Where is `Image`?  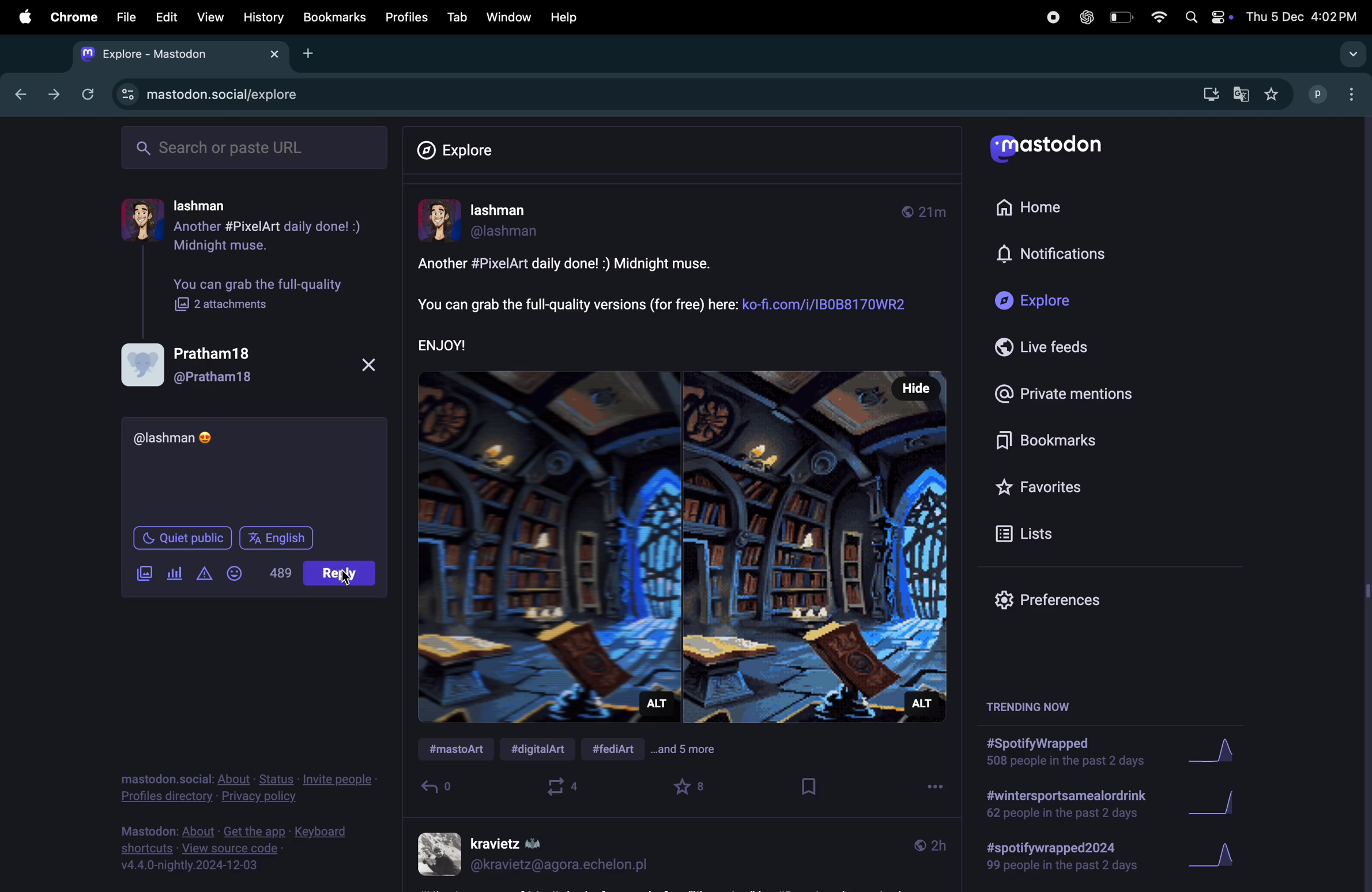 Image is located at coordinates (682, 542).